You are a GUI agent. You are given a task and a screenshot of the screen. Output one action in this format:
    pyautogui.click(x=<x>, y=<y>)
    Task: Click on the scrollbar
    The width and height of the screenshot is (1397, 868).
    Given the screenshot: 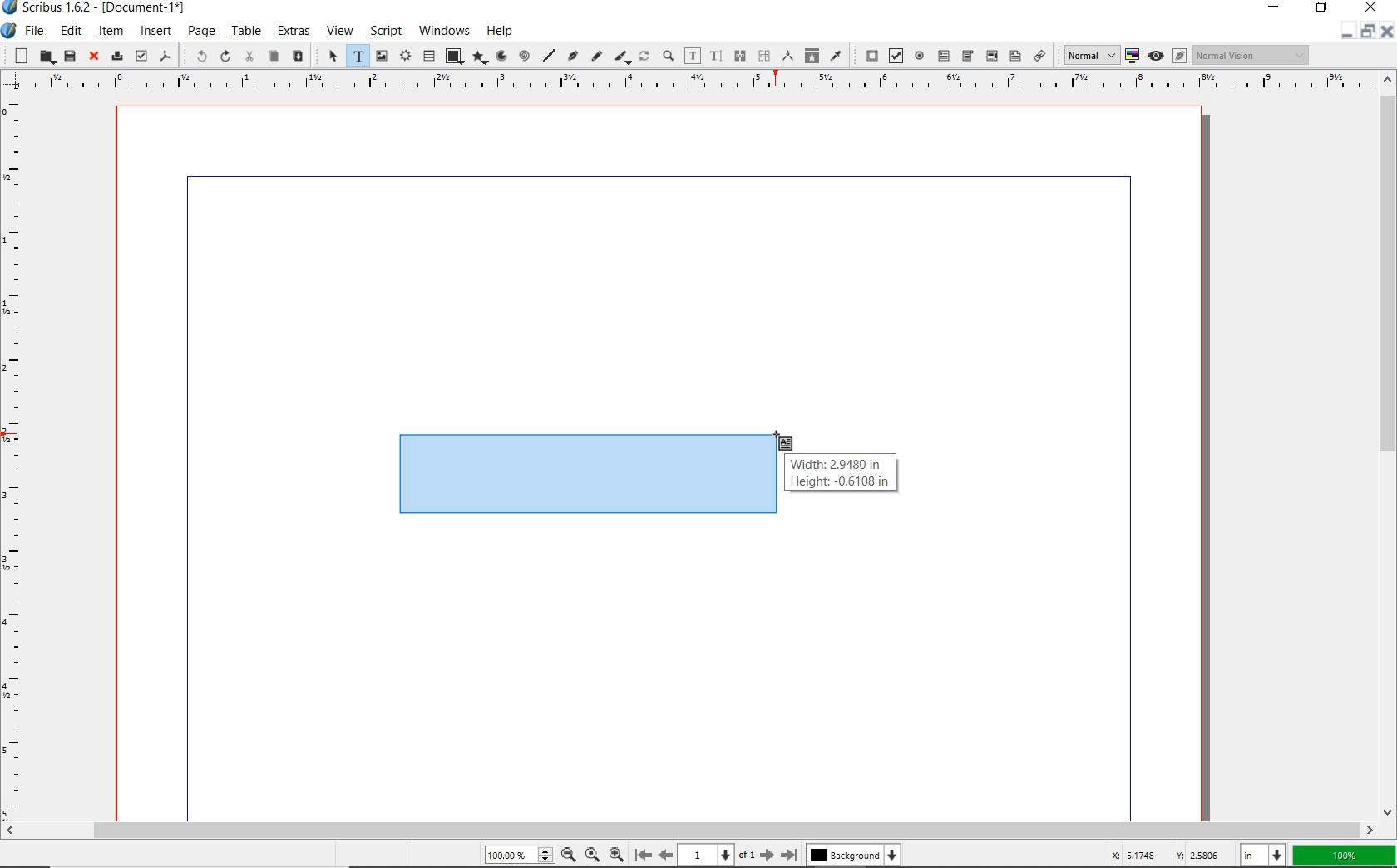 What is the action you would take?
    pyautogui.click(x=689, y=831)
    